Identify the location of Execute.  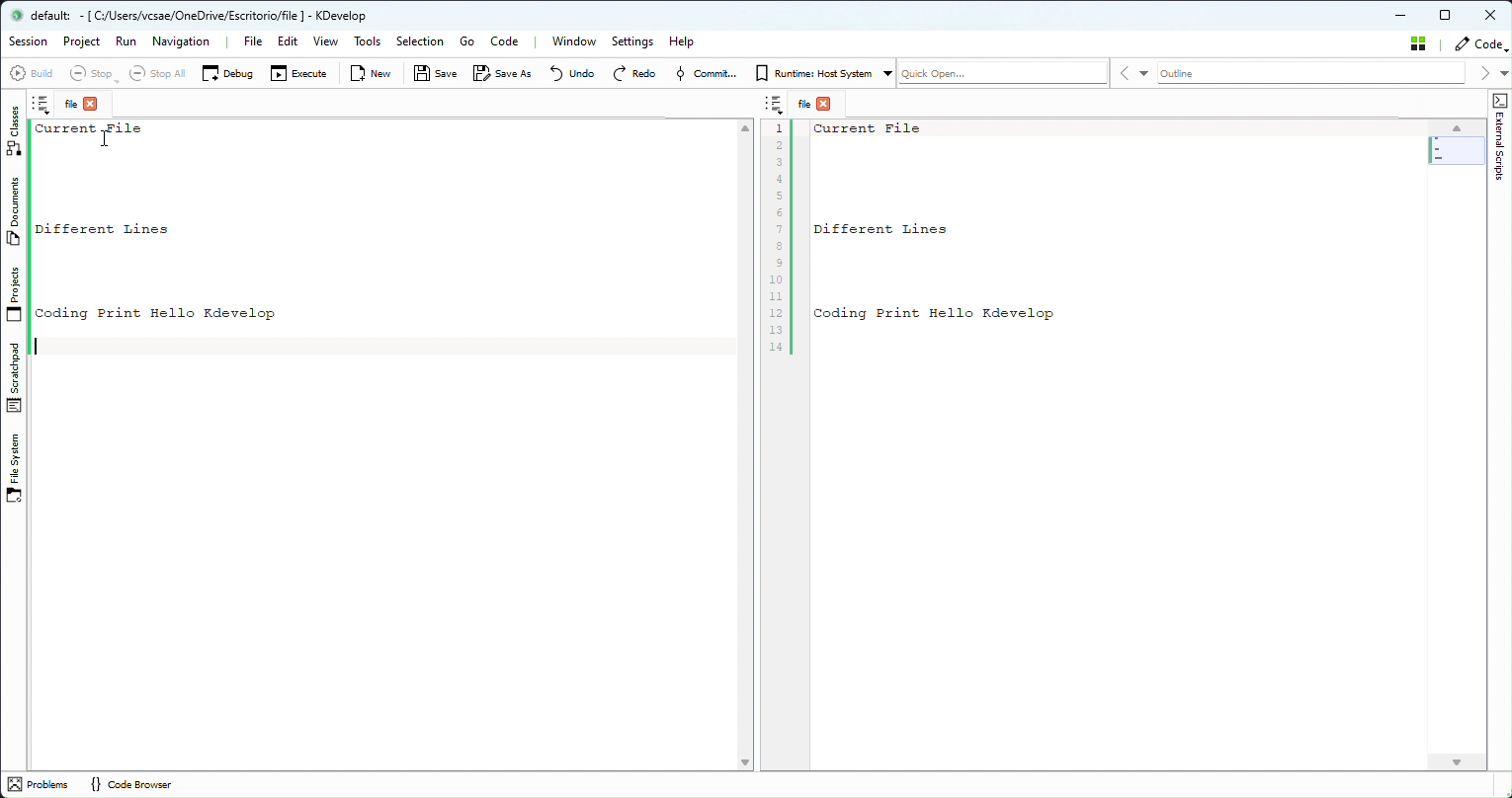
(304, 74).